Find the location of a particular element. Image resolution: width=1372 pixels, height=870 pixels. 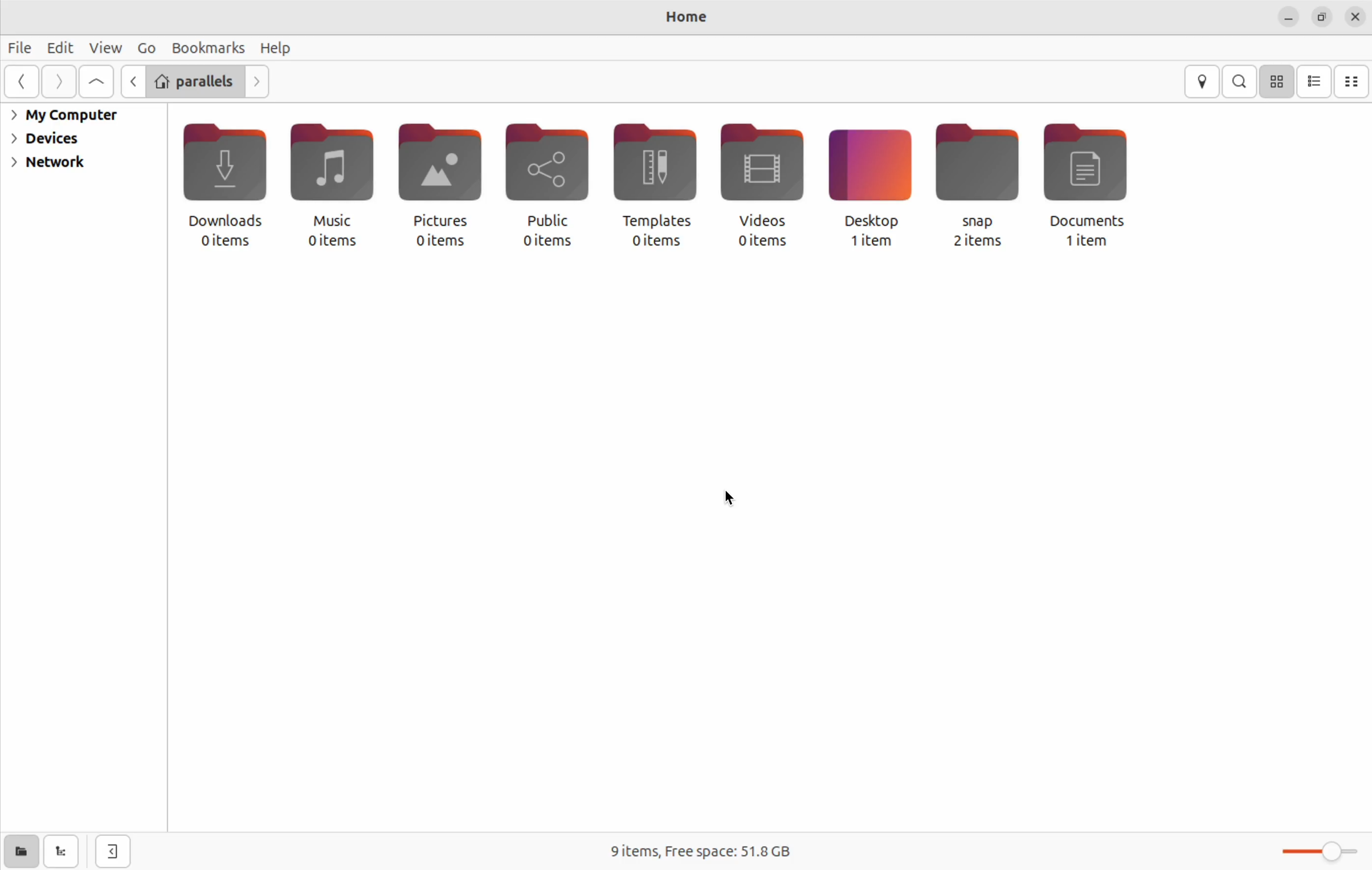

parallels is located at coordinates (194, 80).